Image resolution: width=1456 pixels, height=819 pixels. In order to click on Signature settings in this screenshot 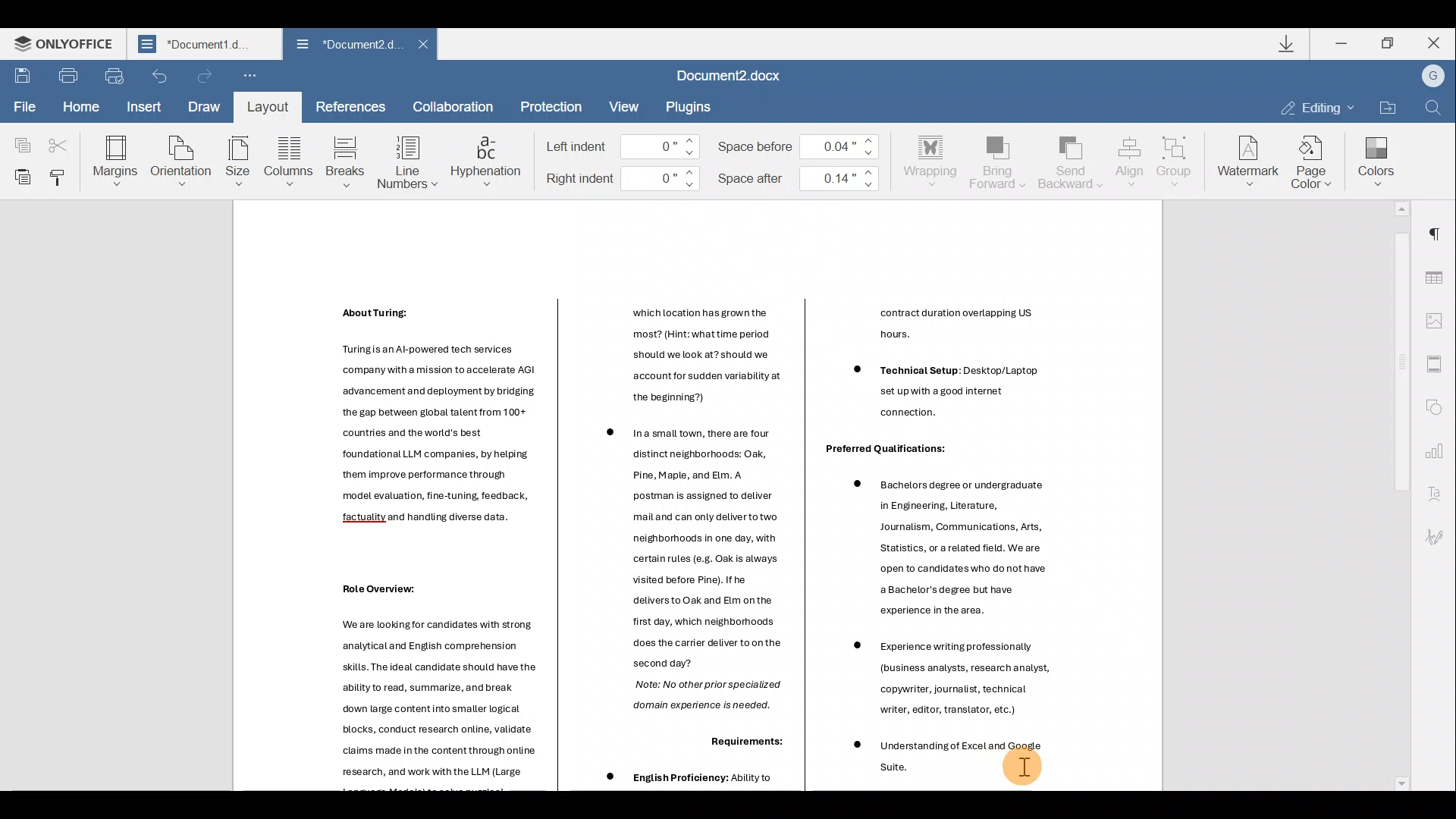, I will do `click(1441, 536)`.